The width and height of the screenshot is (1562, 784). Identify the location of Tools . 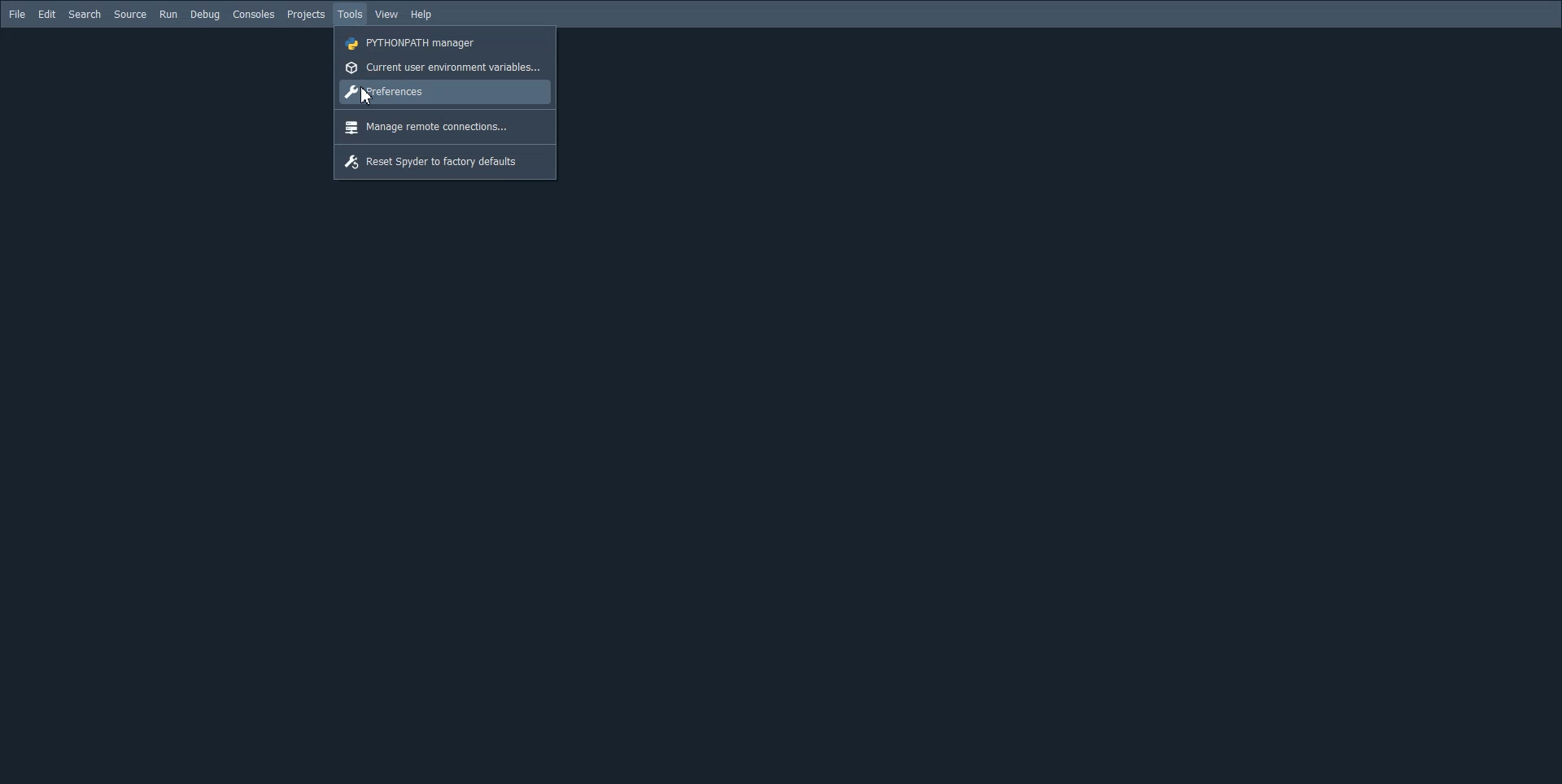
(350, 14).